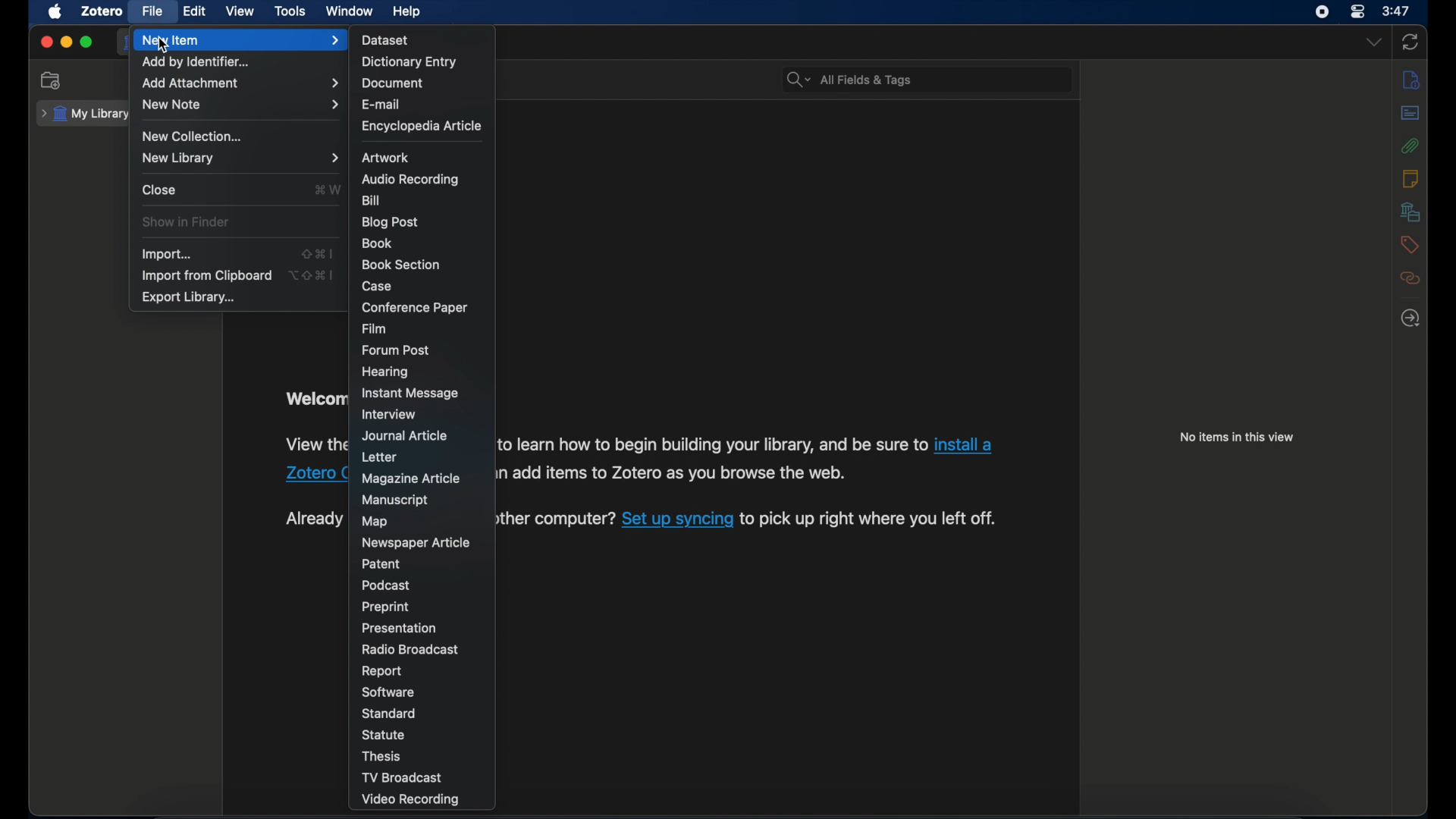 The height and width of the screenshot is (819, 1456). Describe the element at coordinates (165, 47) in the screenshot. I see `cursor` at that location.